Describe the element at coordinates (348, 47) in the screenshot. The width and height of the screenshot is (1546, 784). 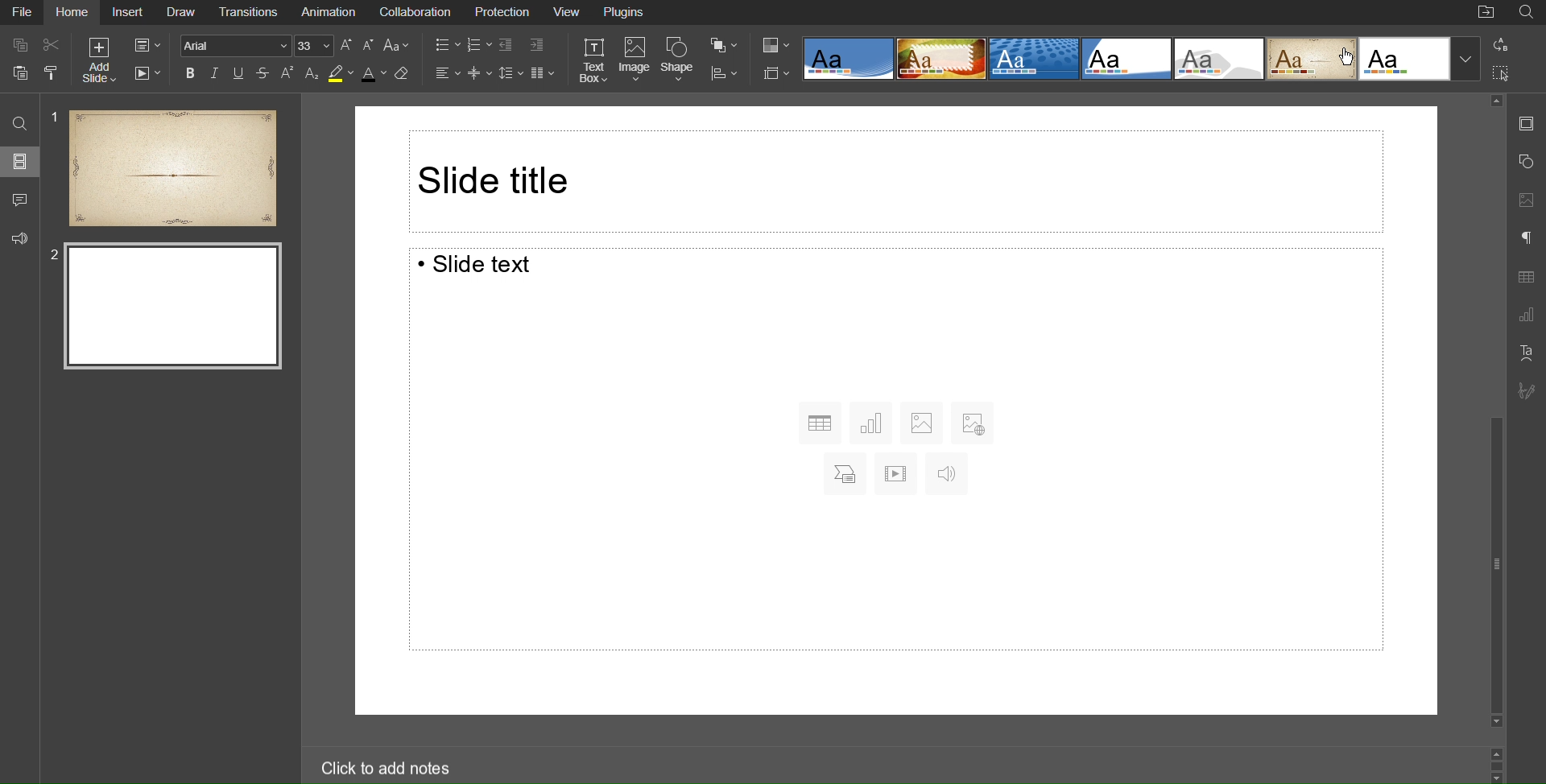
I see `Increase Font Size` at that location.